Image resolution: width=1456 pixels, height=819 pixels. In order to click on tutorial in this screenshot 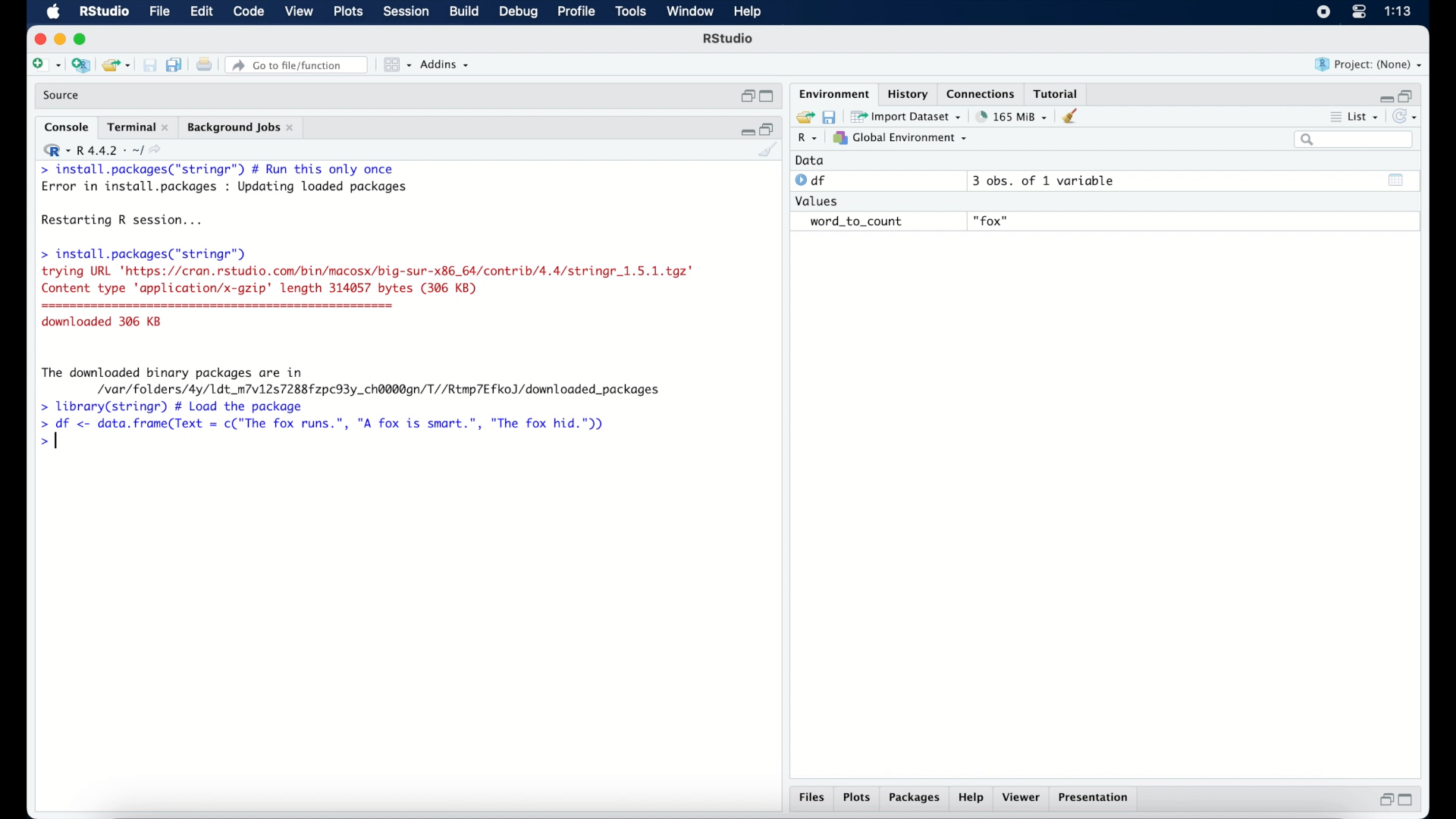, I will do `click(1056, 92)`.